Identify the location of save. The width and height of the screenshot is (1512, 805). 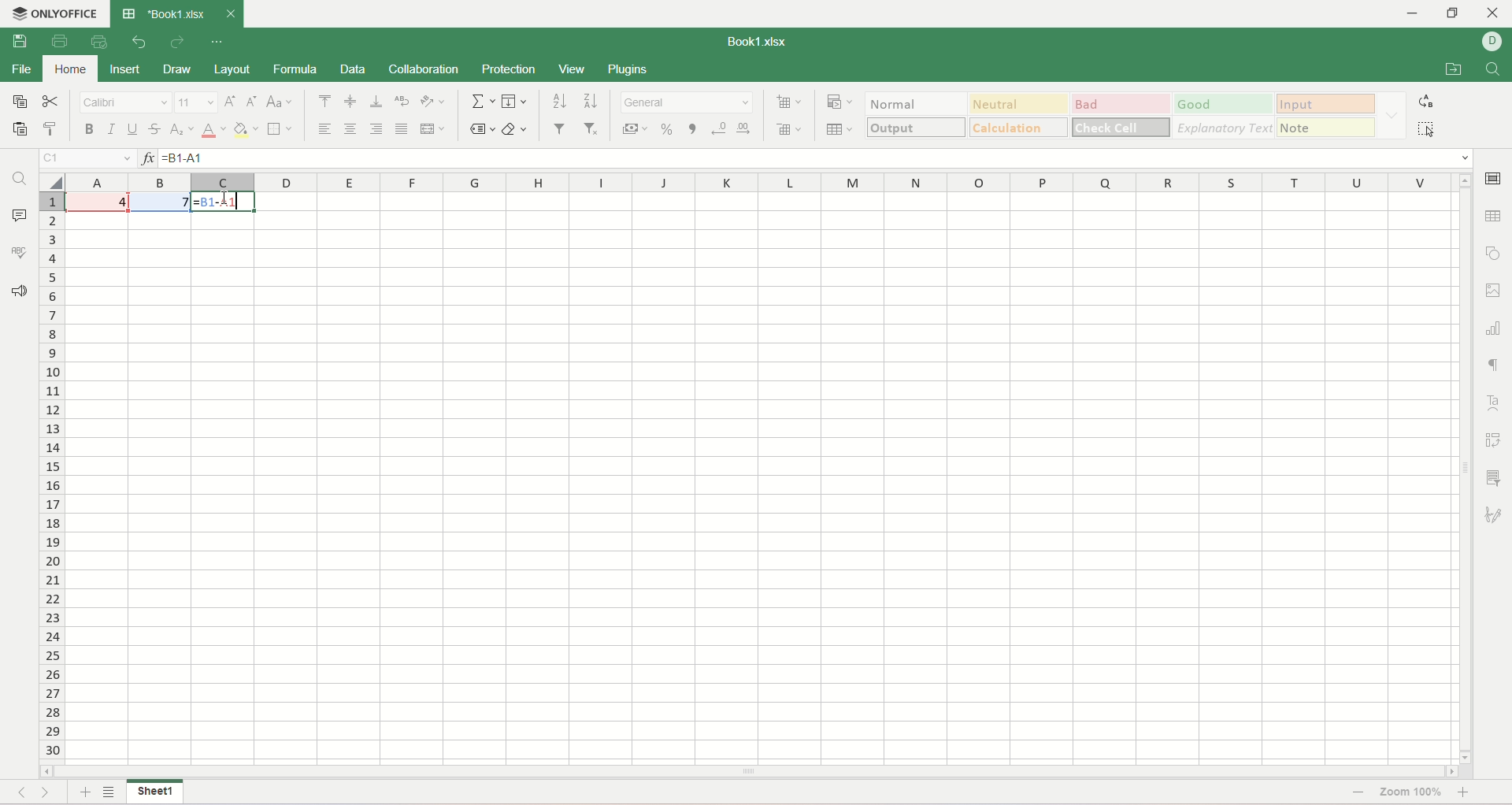
(20, 40).